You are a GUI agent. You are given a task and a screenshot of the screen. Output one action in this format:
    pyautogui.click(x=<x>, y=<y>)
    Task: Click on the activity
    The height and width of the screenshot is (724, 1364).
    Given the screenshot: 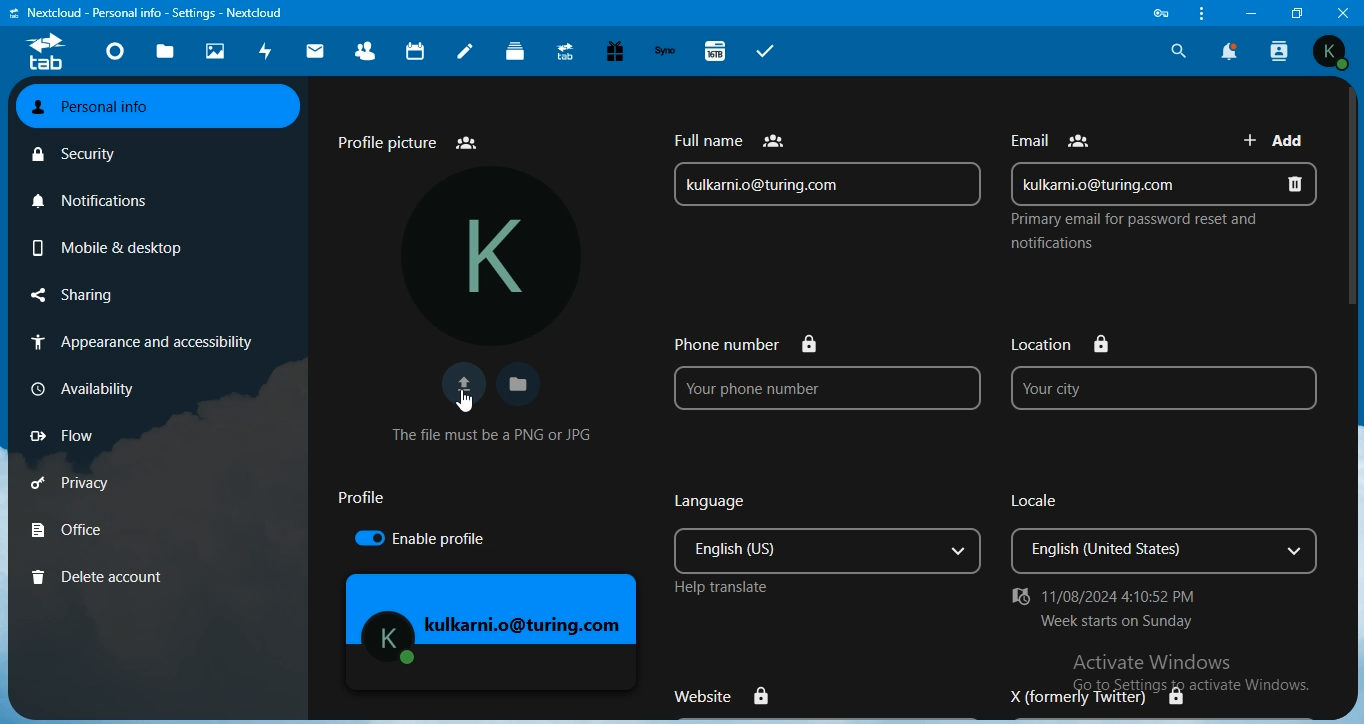 What is the action you would take?
    pyautogui.click(x=264, y=52)
    